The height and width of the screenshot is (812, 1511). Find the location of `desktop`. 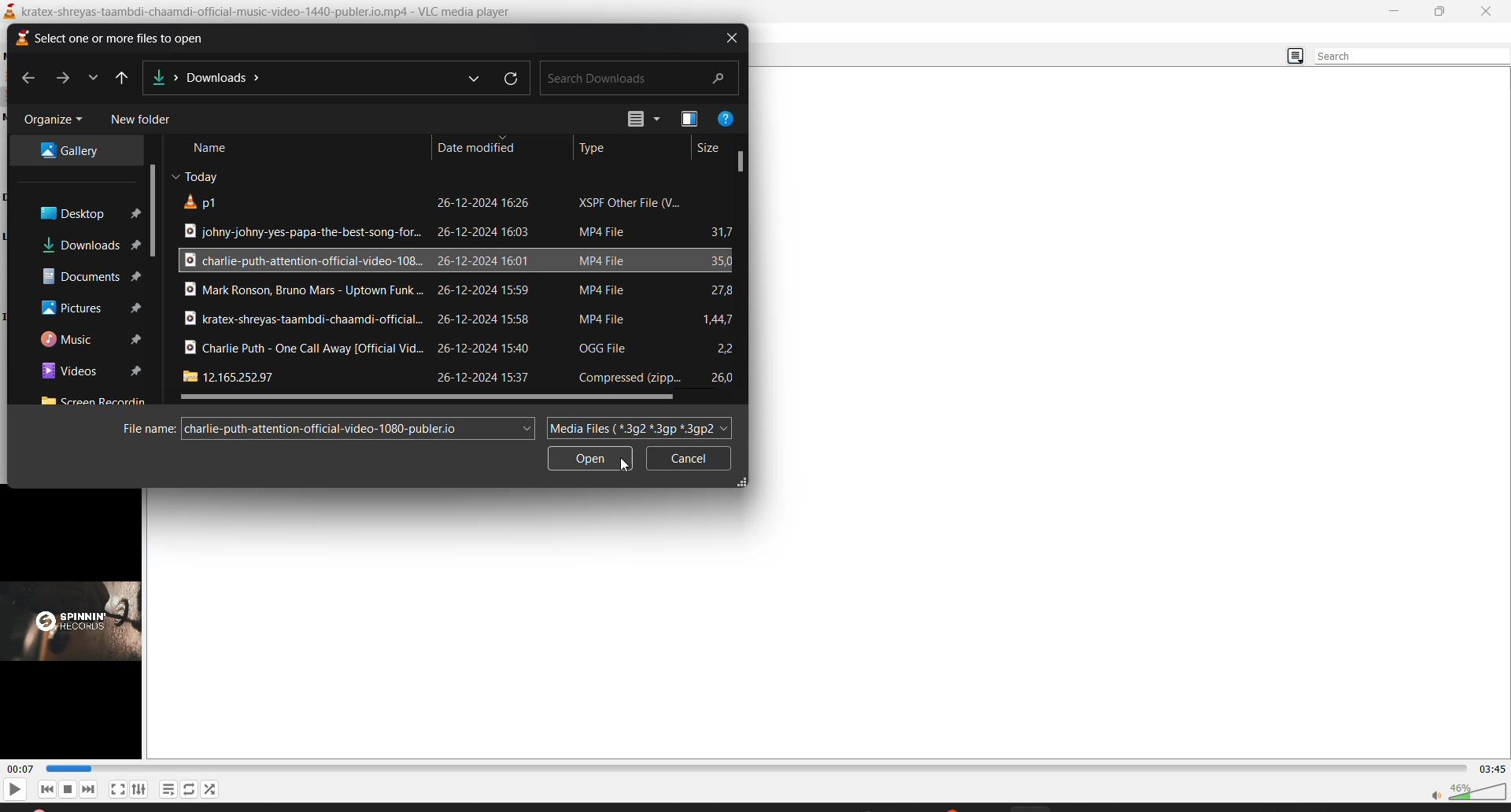

desktop is located at coordinates (88, 217).